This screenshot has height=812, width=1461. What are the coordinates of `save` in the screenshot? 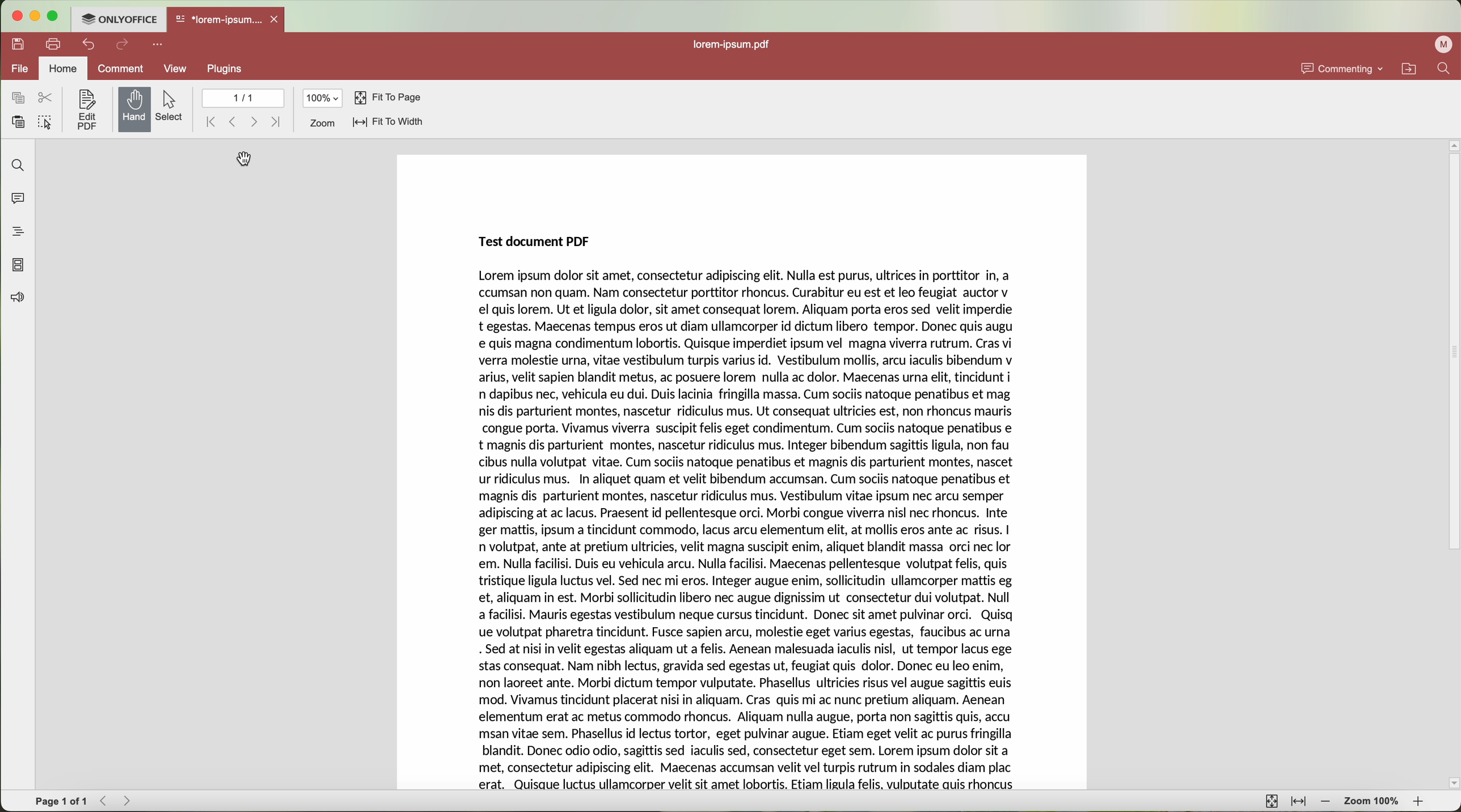 It's located at (16, 45).